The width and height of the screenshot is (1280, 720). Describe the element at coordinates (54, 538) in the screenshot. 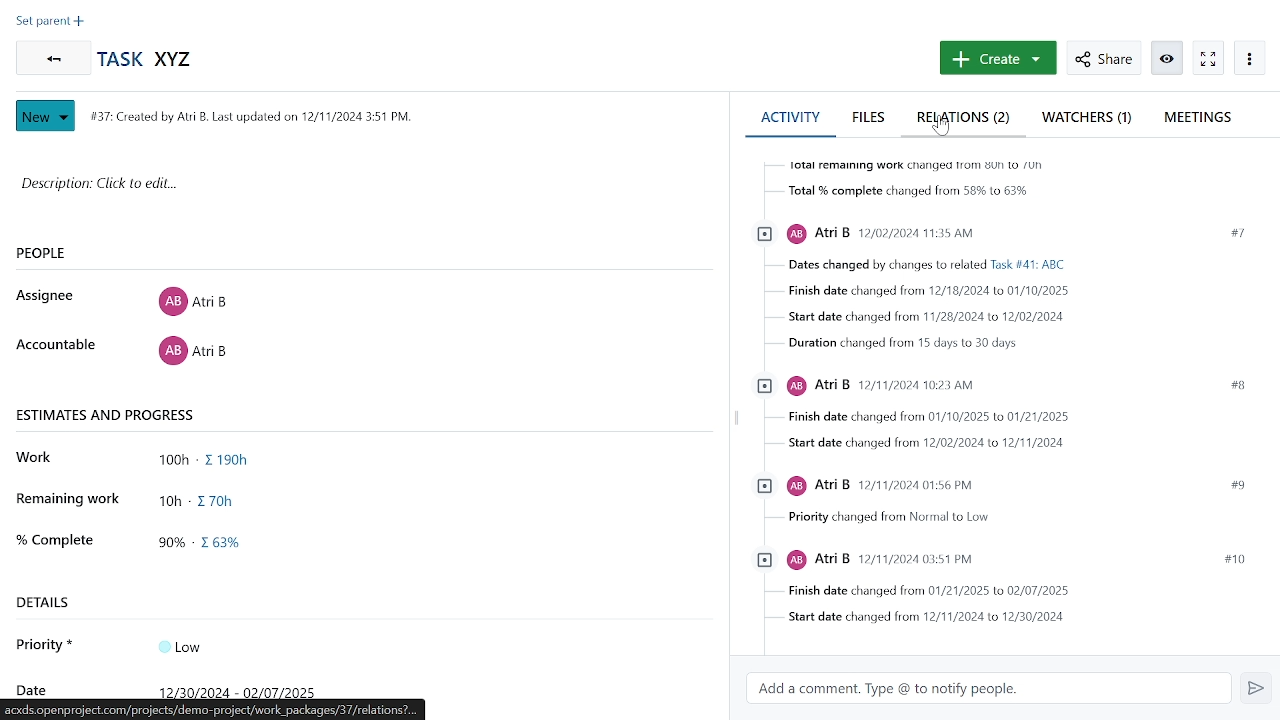

I see `complete` at that location.